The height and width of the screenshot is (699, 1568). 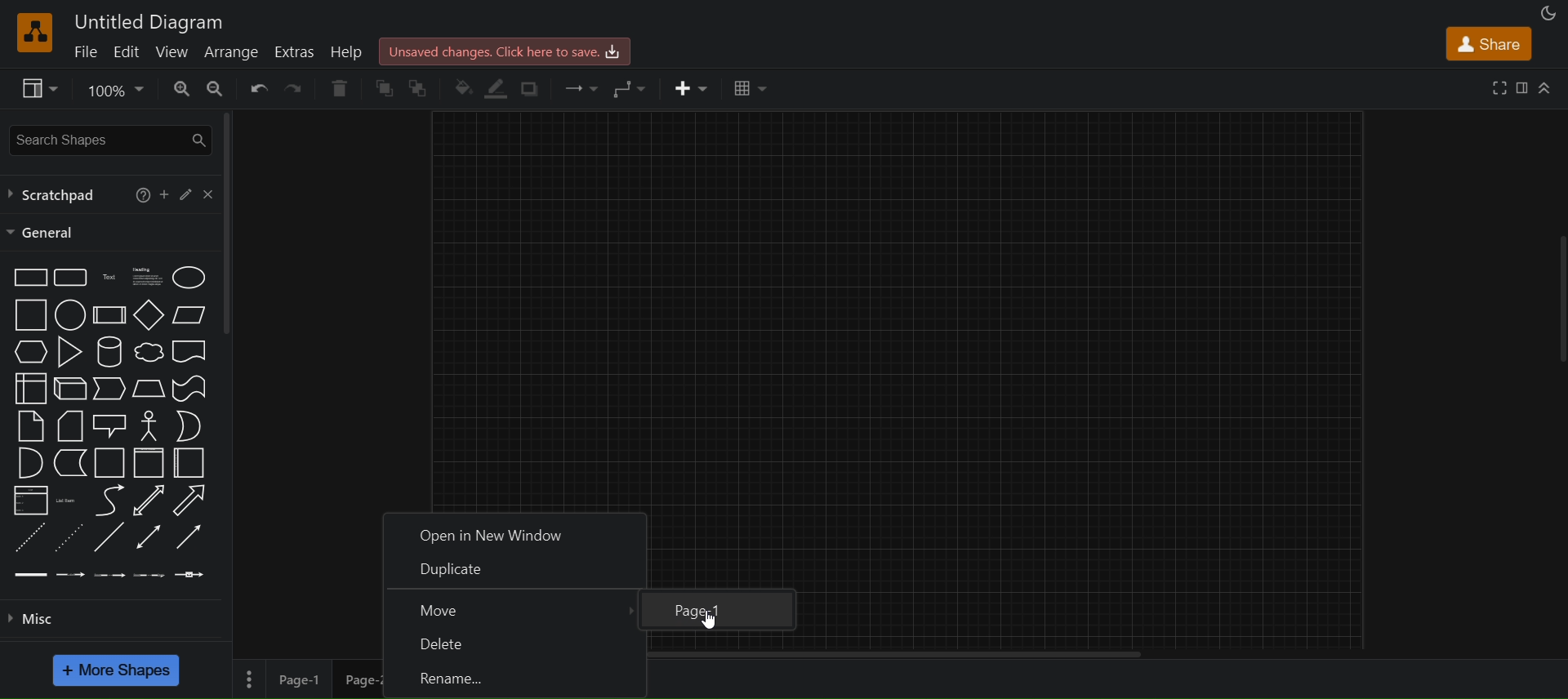 What do you see at coordinates (70, 572) in the screenshot?
I see `connector with 1 label` at bounding box center [70, 572].